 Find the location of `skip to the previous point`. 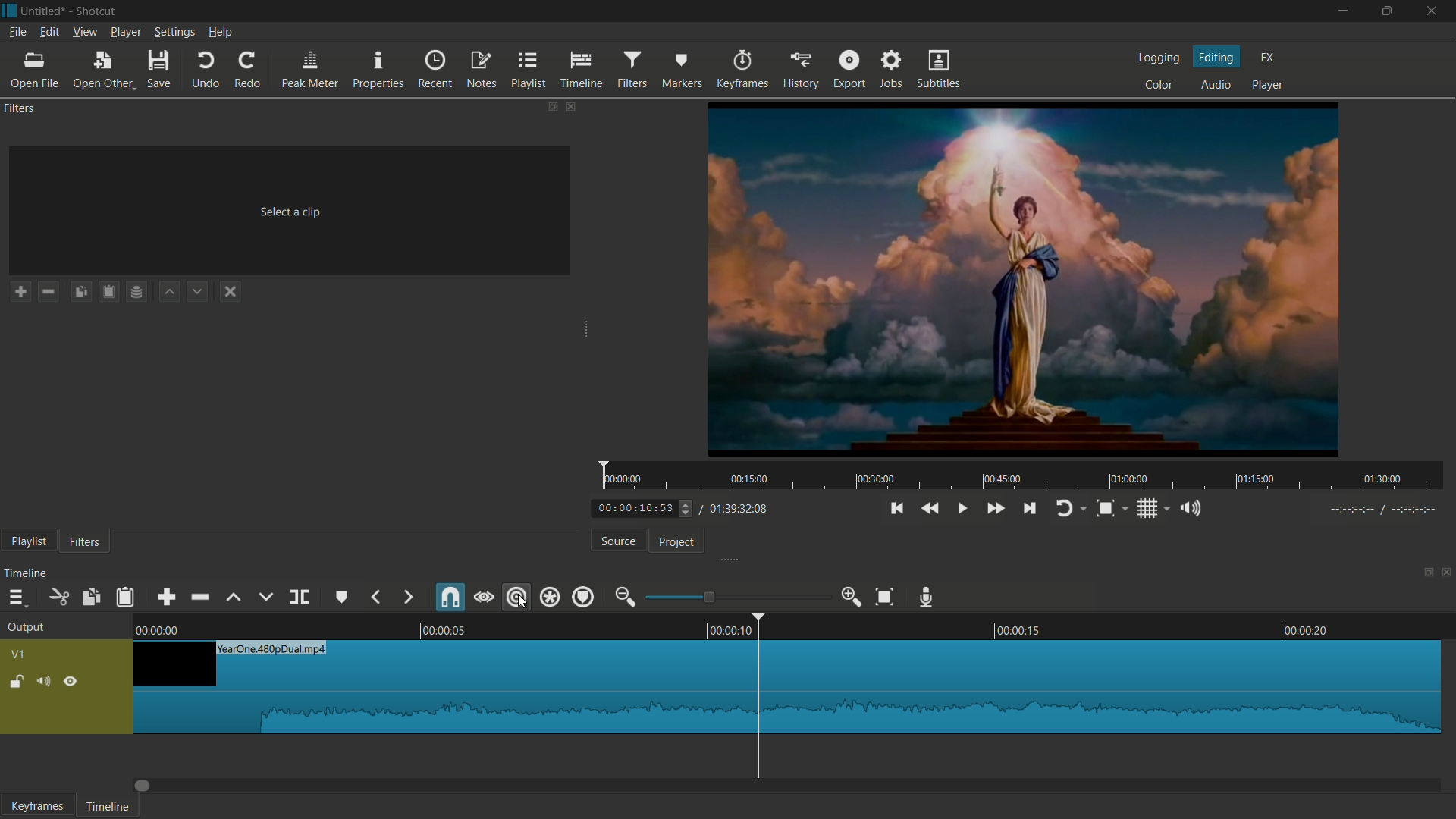

skip to the previous point is located at coordinates (896, 509).